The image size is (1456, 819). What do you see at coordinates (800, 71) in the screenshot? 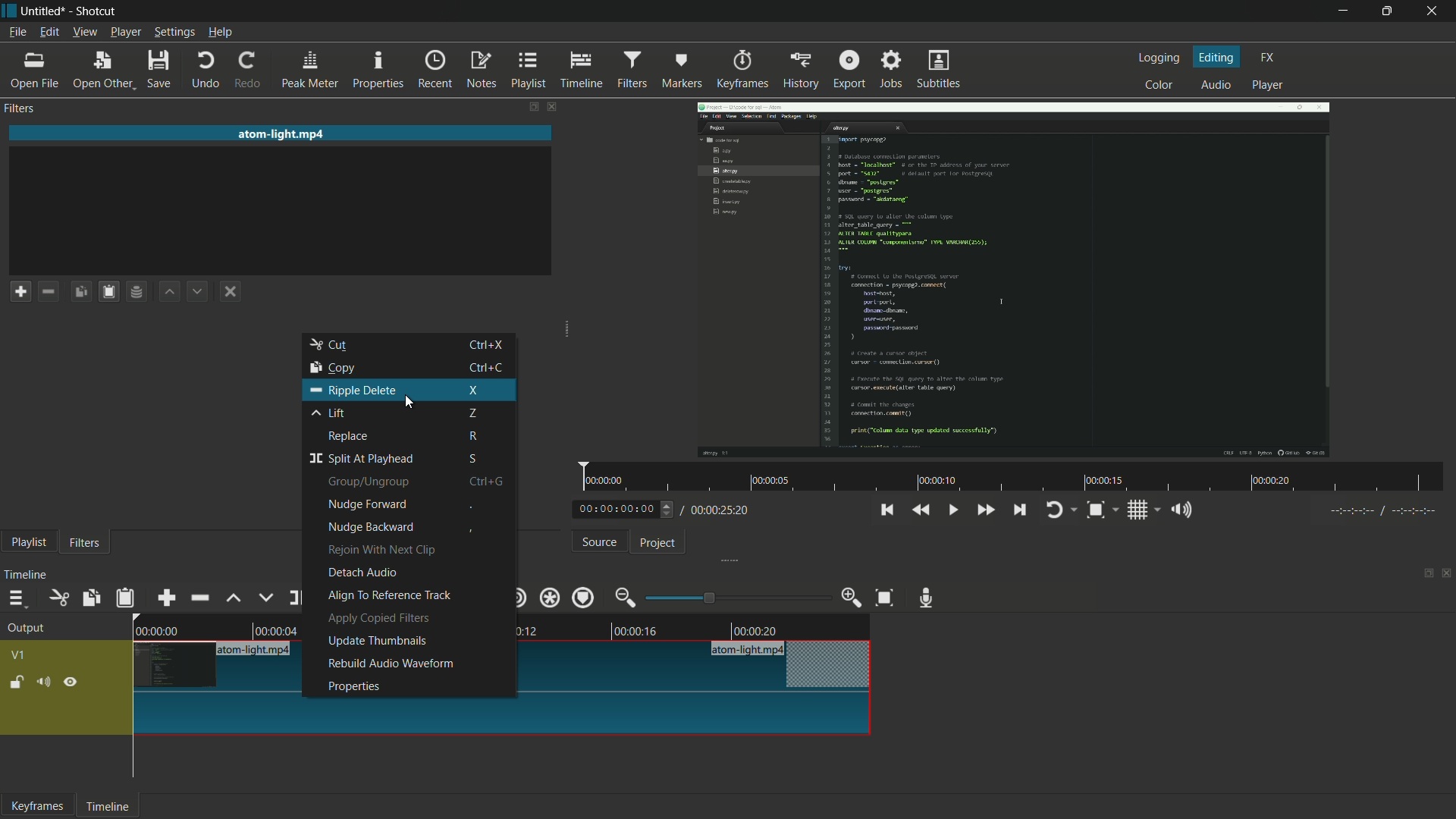
I see `history` at bounding box center [800, 71].